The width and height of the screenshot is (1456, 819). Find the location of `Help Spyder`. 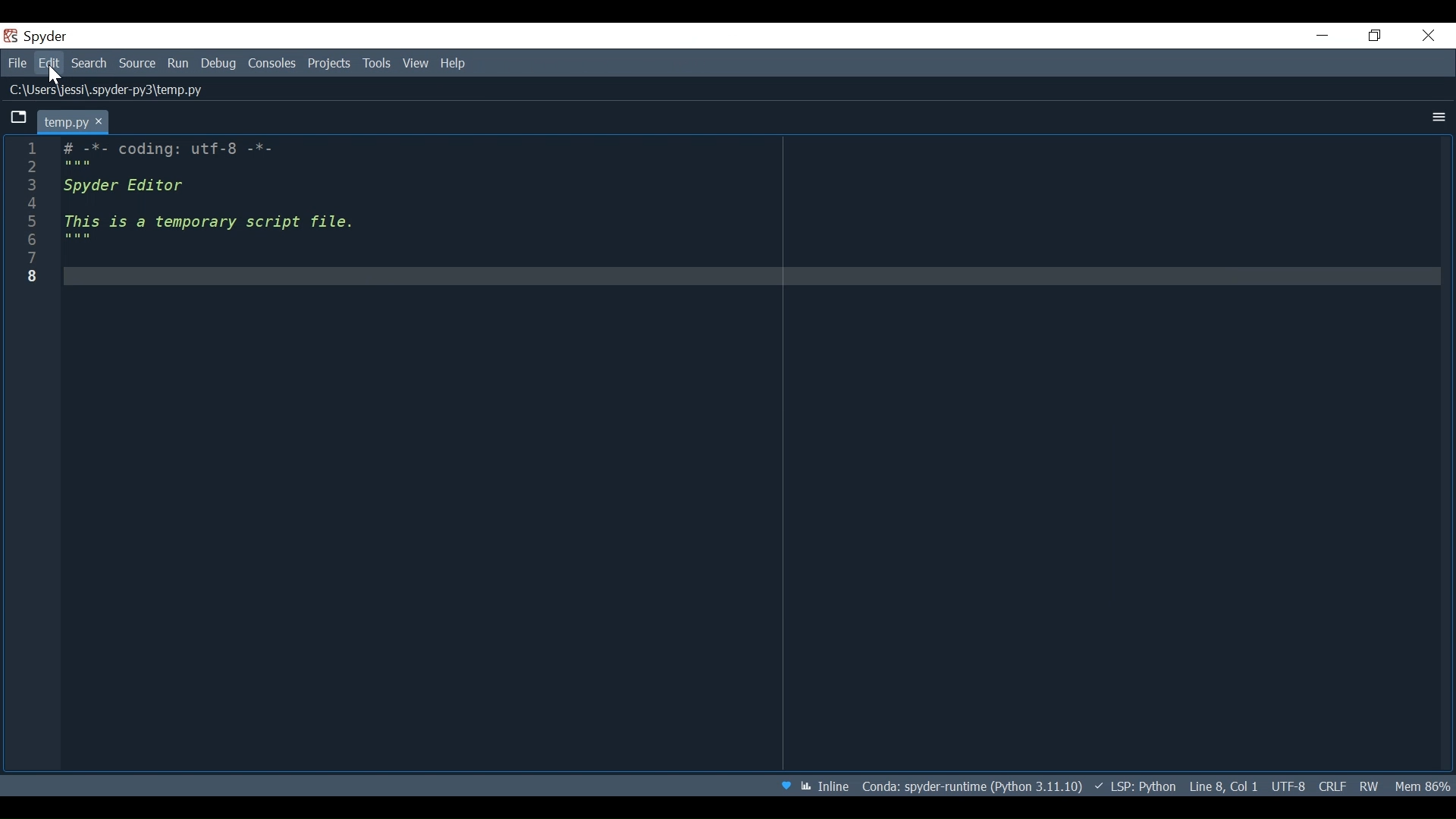

Help Spyder is located at coordinates (788, 783).